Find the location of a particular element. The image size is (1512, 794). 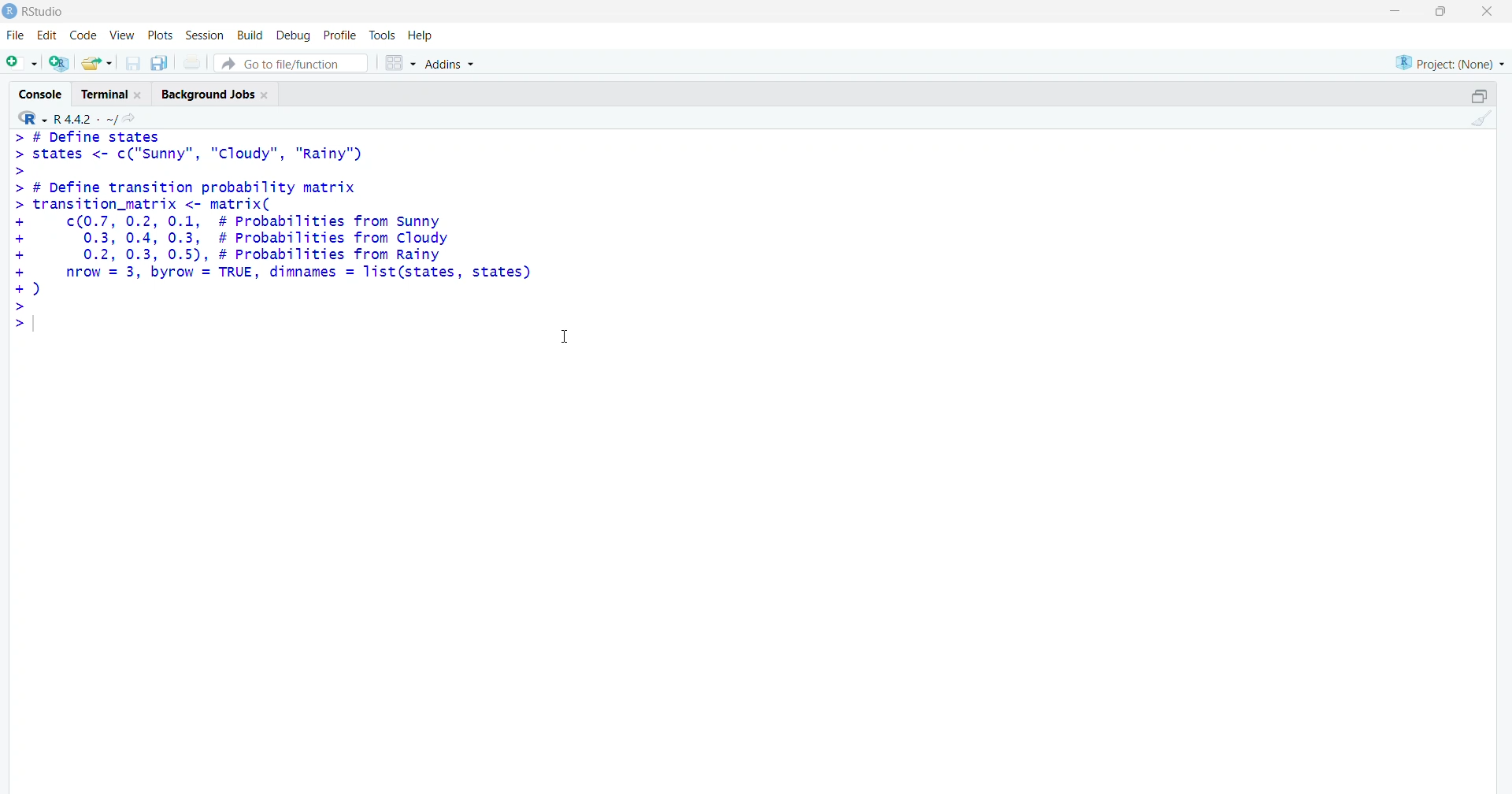

session is located at coordinates (206, 35).